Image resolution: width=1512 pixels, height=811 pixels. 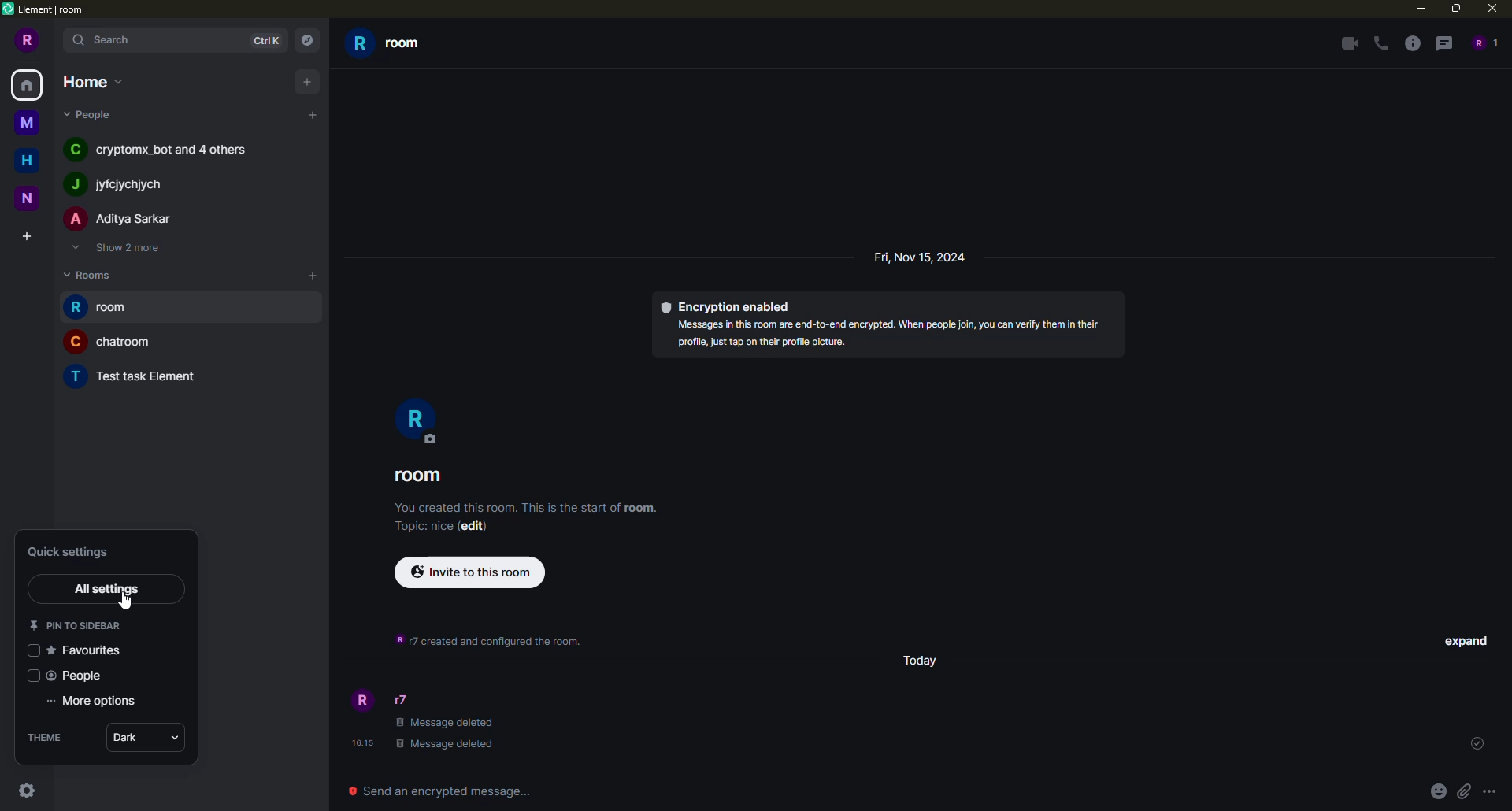 I want to click on all settings, so click(x=109, y=588).